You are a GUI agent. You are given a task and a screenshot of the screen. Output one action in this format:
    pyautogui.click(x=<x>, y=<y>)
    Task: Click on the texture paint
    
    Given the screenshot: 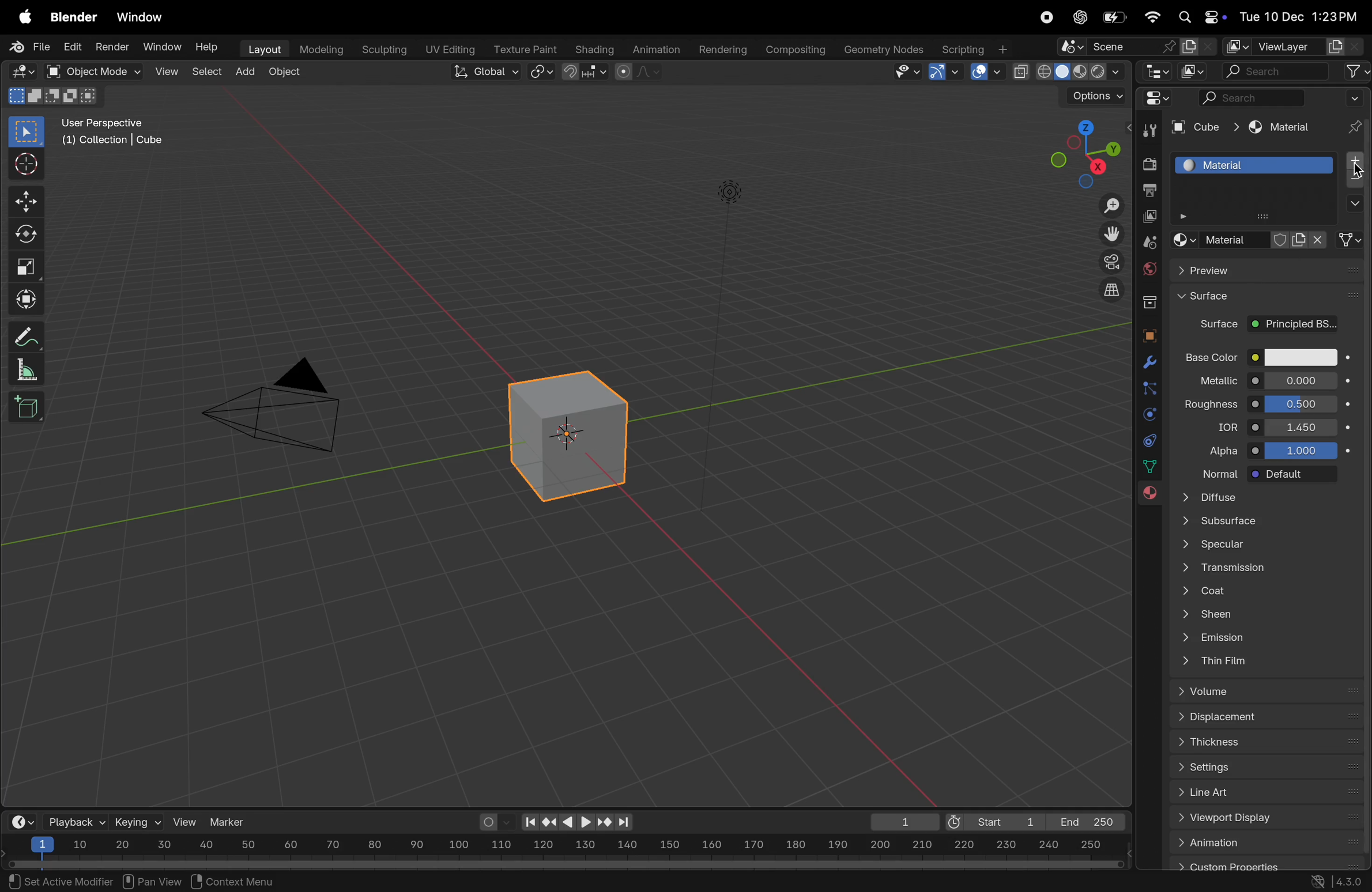 What is the action you would take?
    pyautogui.click(x=523, y=46)
    